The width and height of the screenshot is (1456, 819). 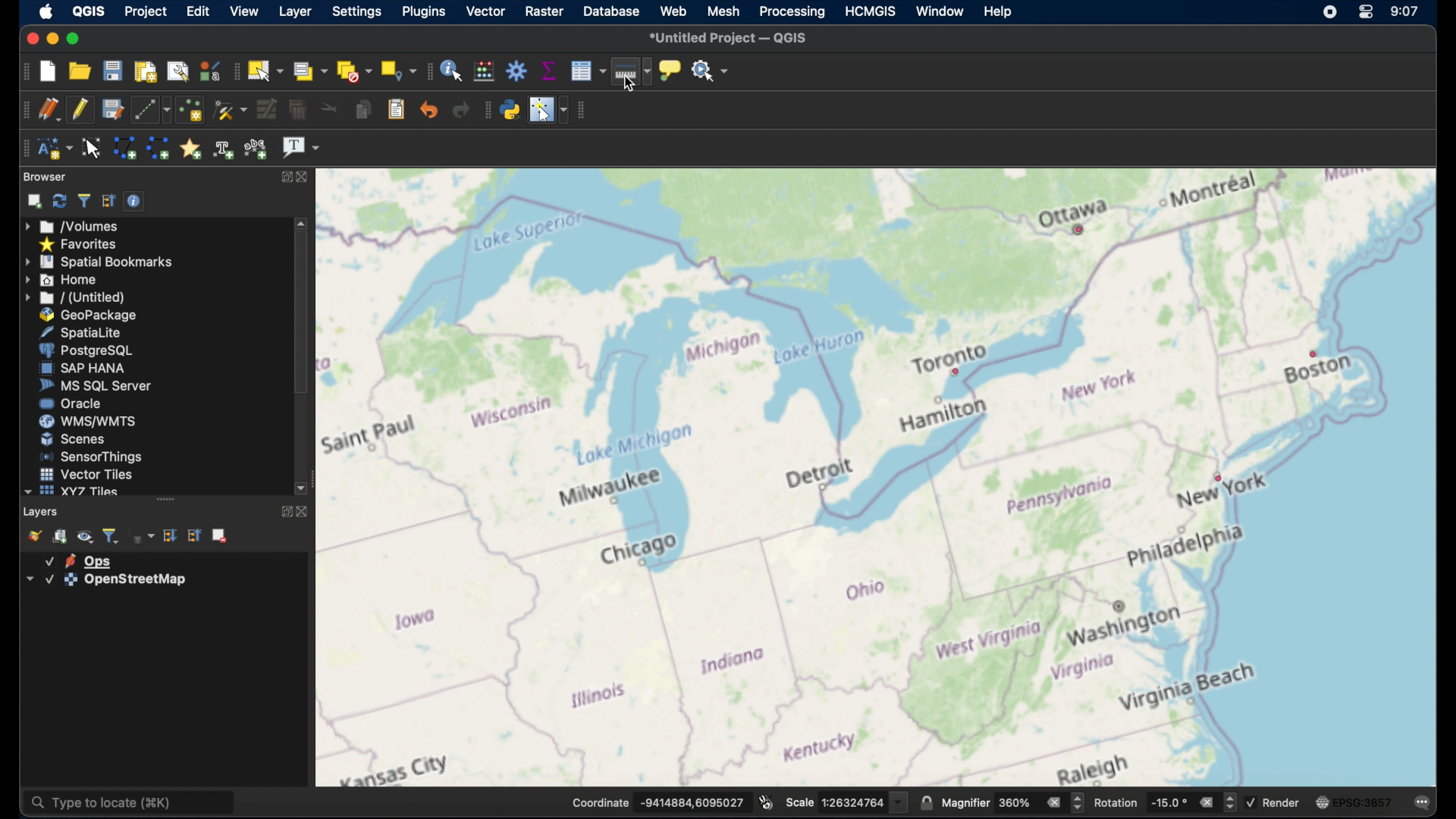 What do you see at coordinates (111, 535) in the screenshot?
I see `filter legend` at bounding box center [111, 535].